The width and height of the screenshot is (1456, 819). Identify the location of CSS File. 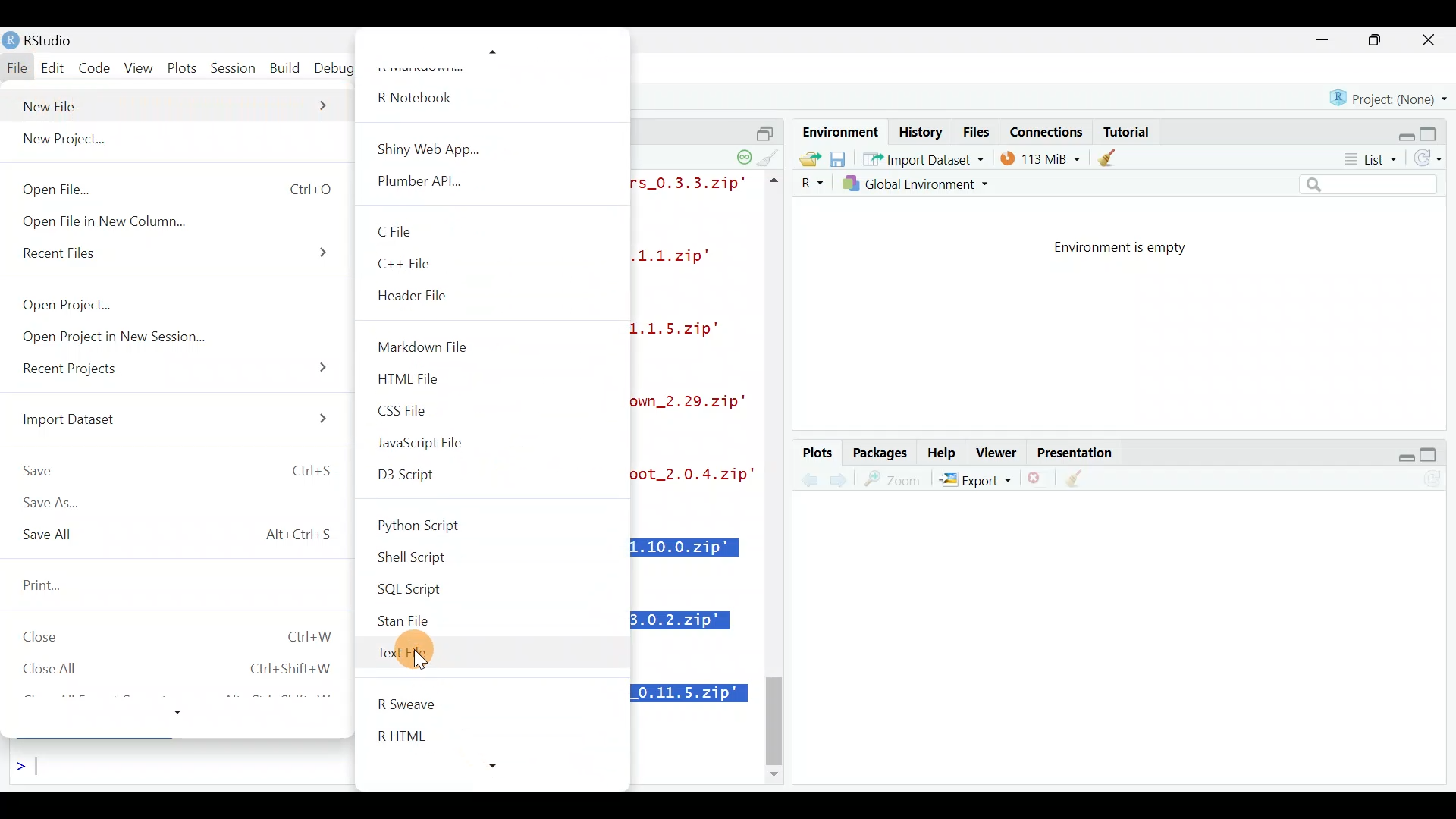
(420, 410).